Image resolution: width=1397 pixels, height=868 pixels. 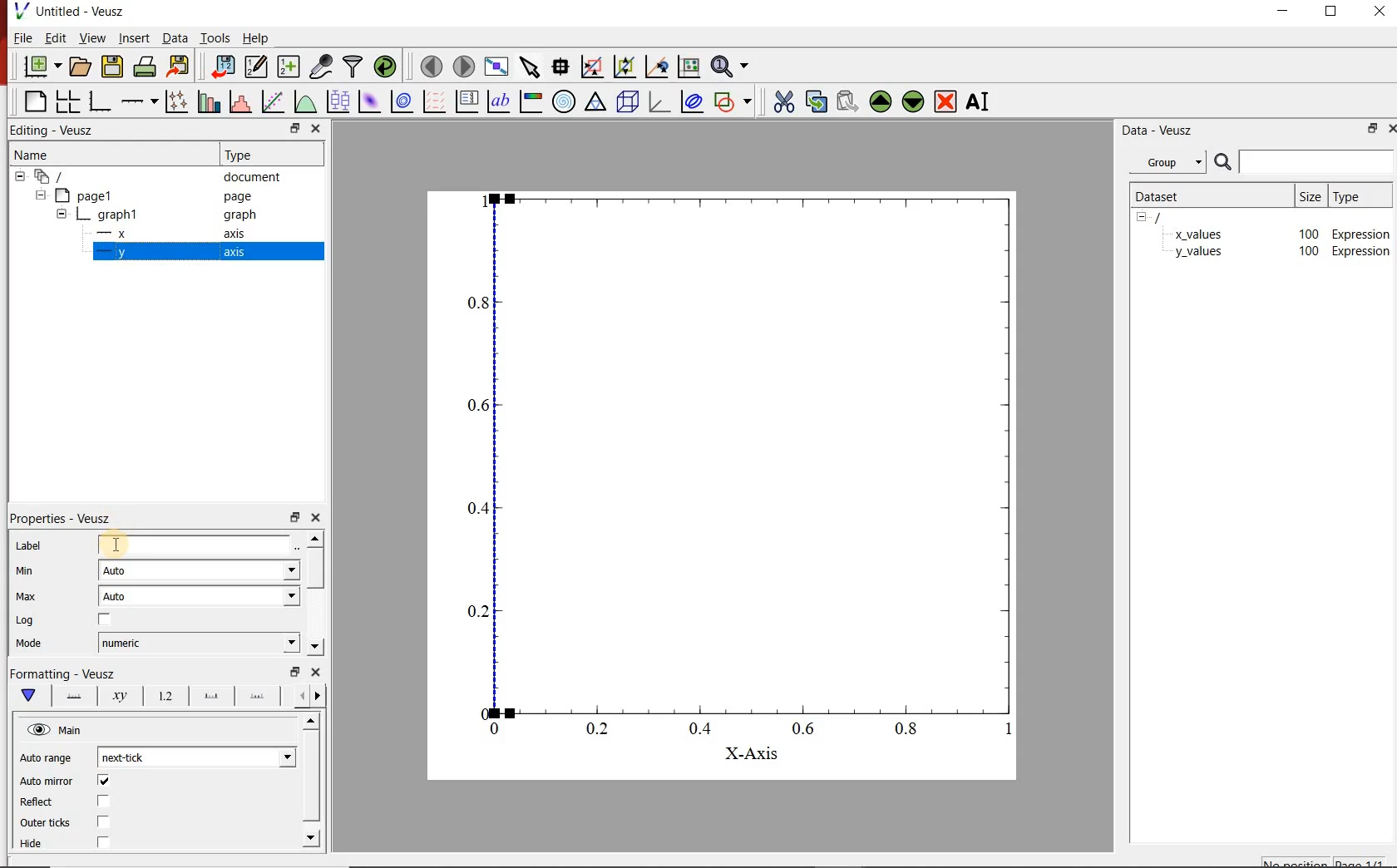 What do you see at coordinates (81, 66) in the screenshot?
I see `open document` at bounding box center [81, 66].